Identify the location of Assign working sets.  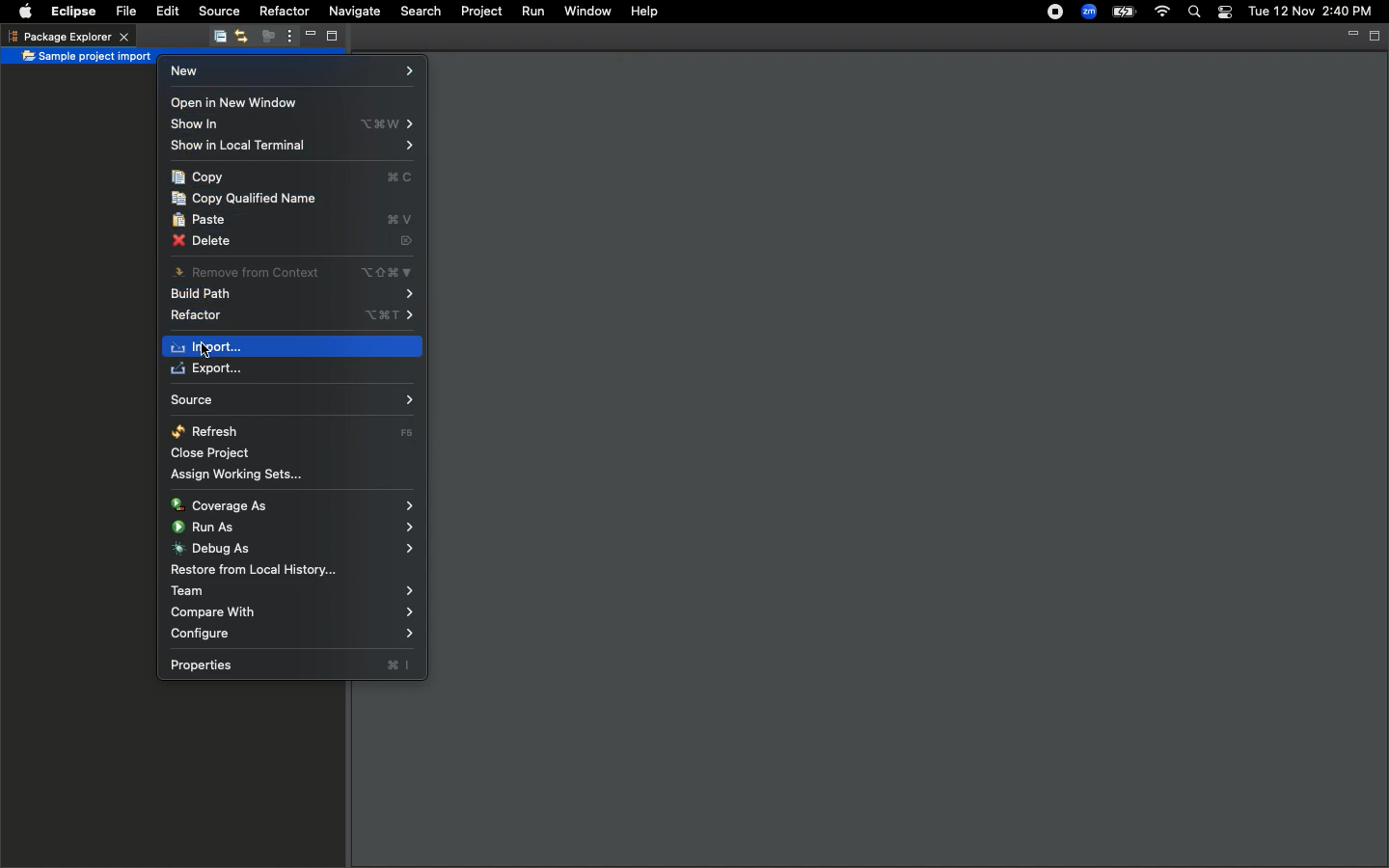
(248, 476).